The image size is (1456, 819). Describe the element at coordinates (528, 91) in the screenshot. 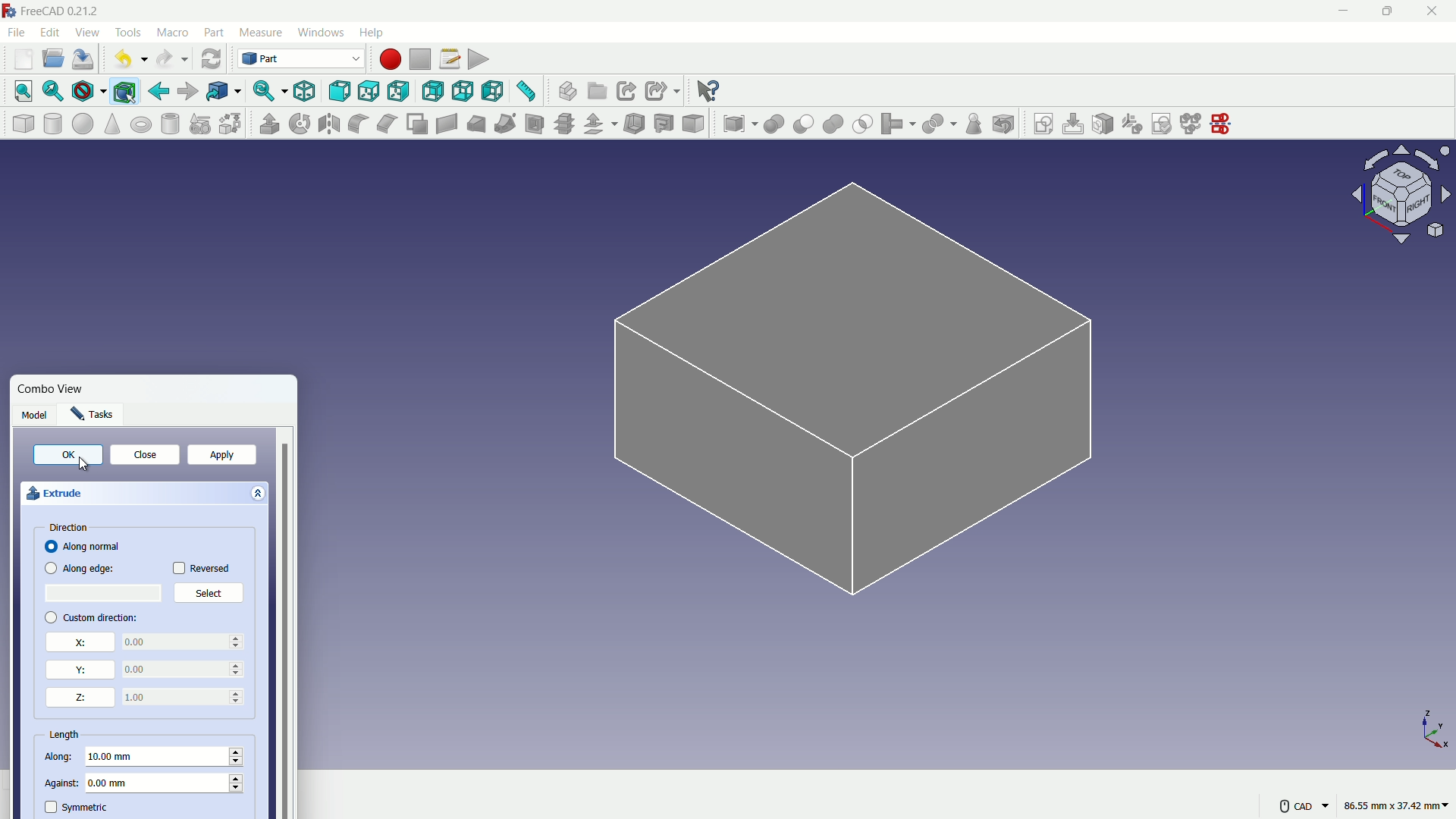

I see `measure` at that location.